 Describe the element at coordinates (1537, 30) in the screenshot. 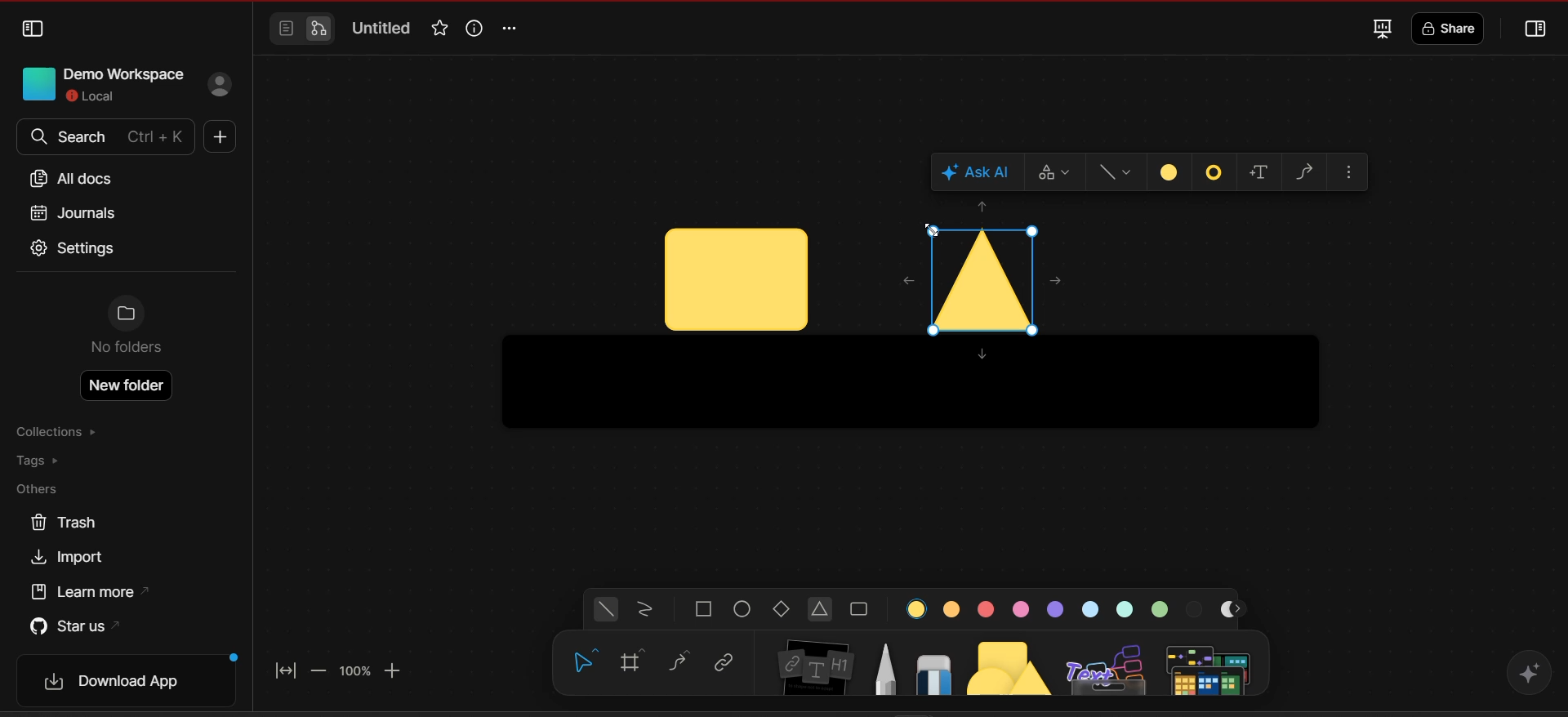

I see `collapse or open sidebar` at that location.